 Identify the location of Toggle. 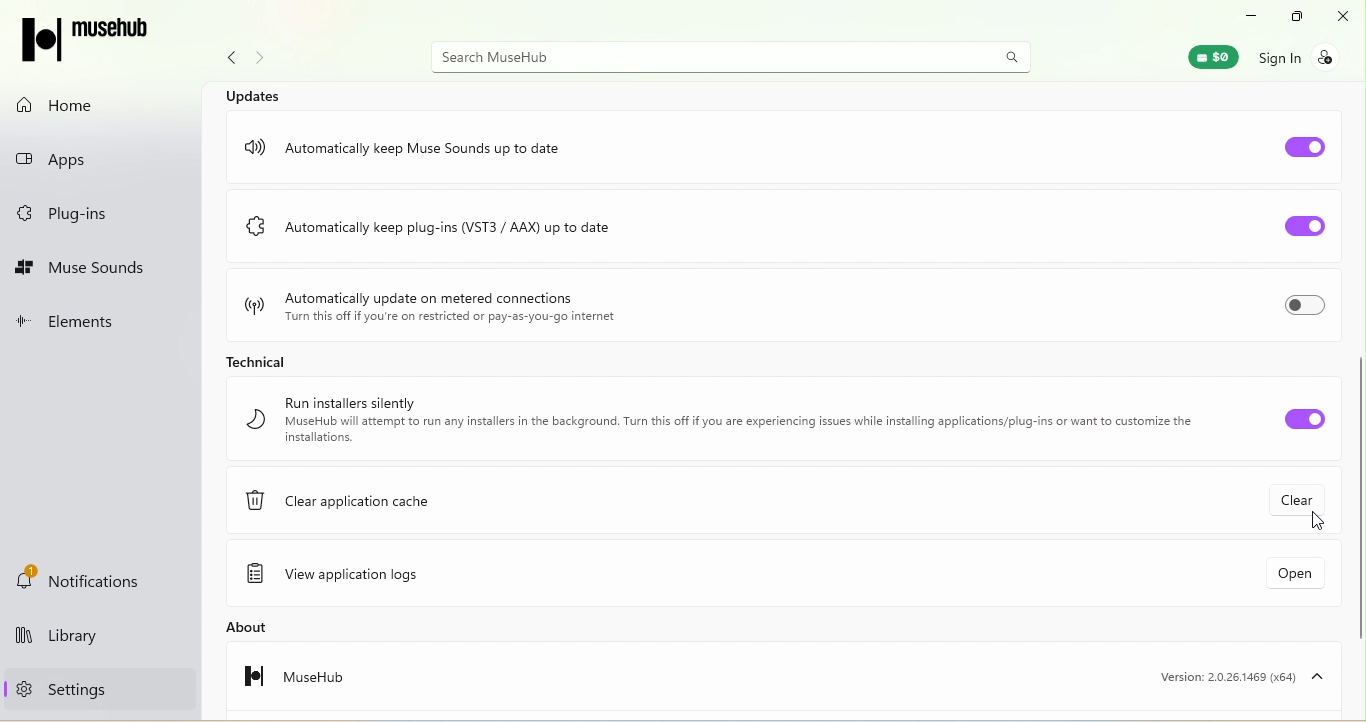
(1303, 309).